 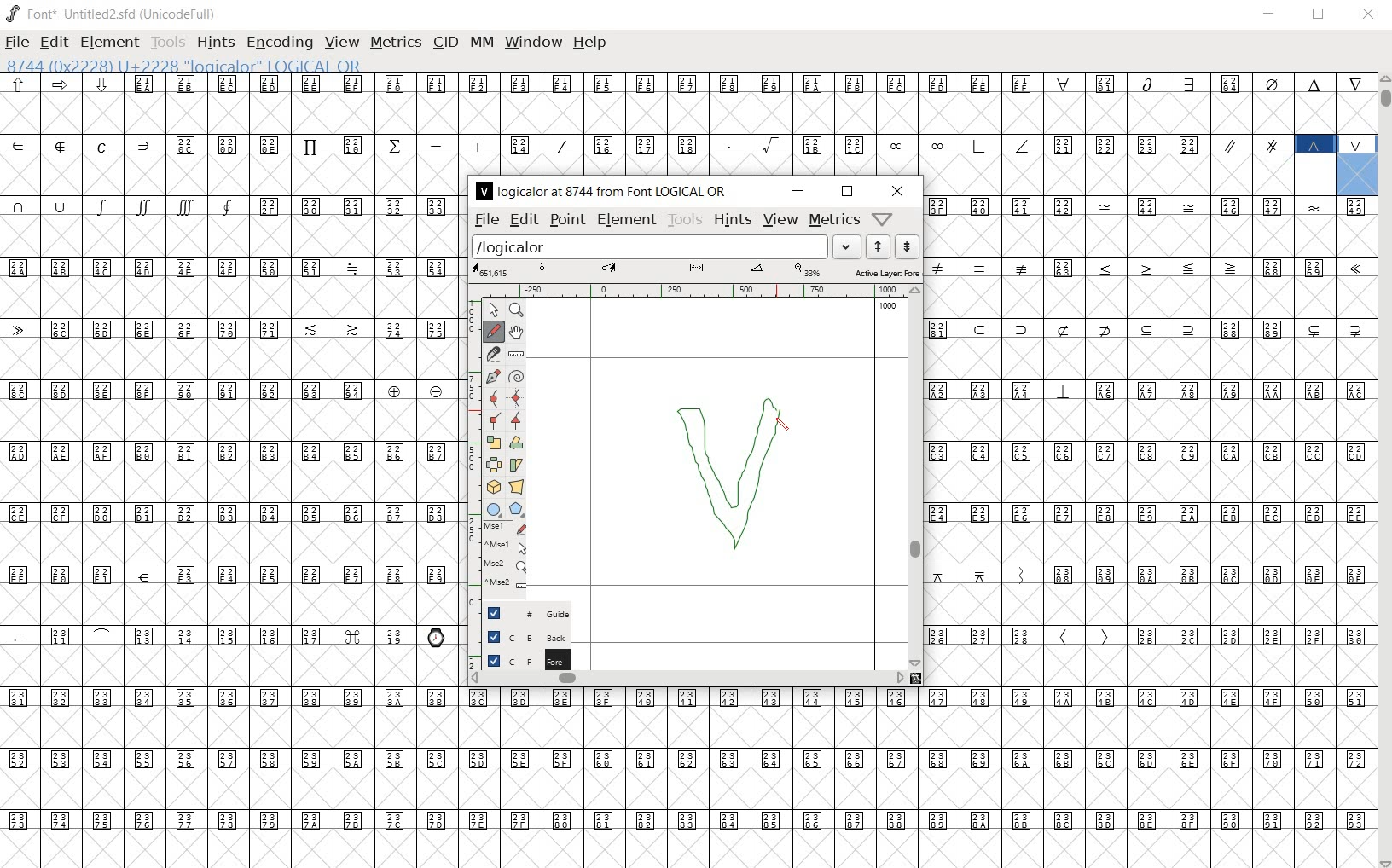 I want to click on edit, so click(x=524, y=221).